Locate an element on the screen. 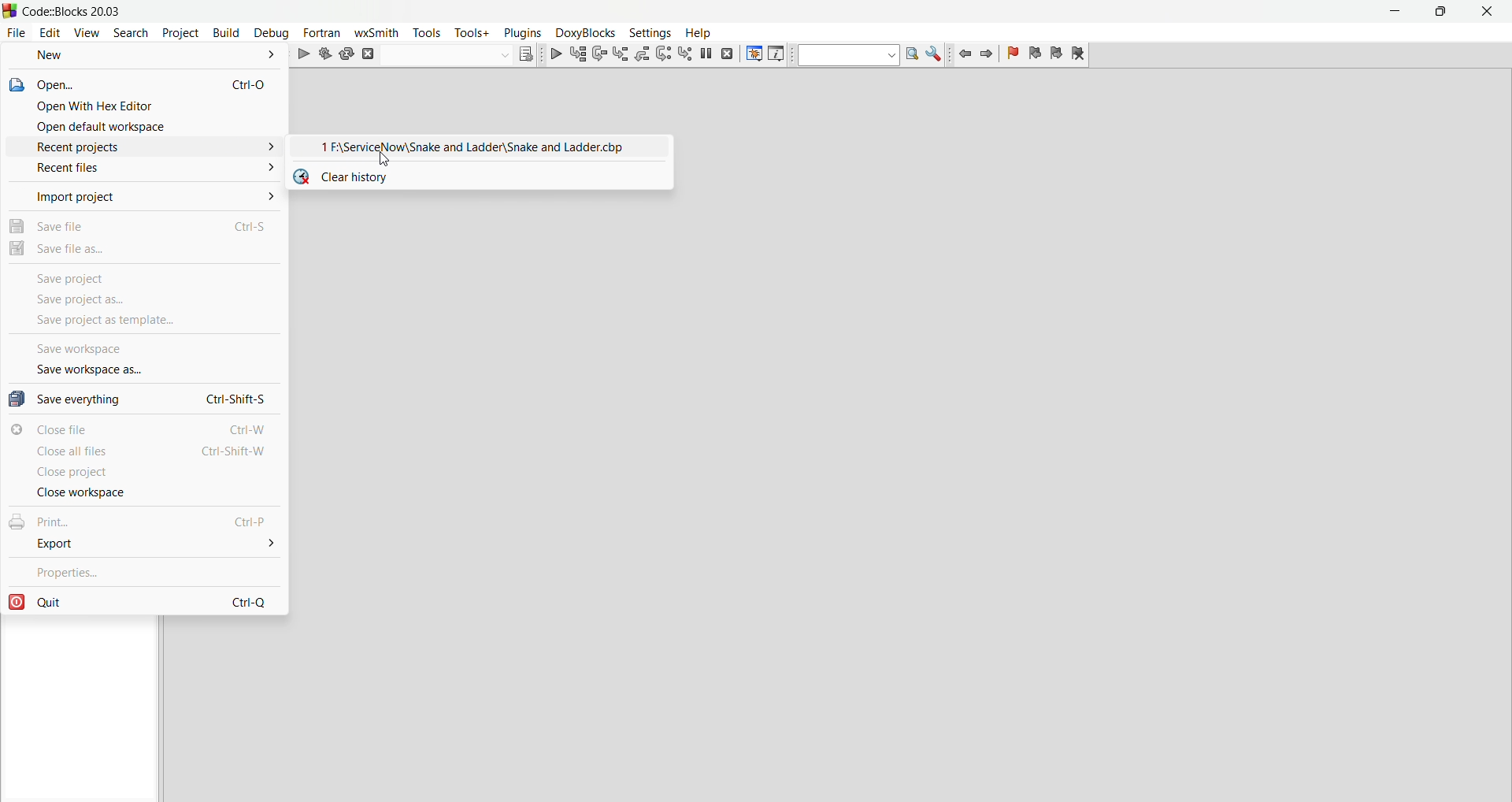 This screenshot has height=802, width=1512. clsoe project is located at coordinates (145, 473).